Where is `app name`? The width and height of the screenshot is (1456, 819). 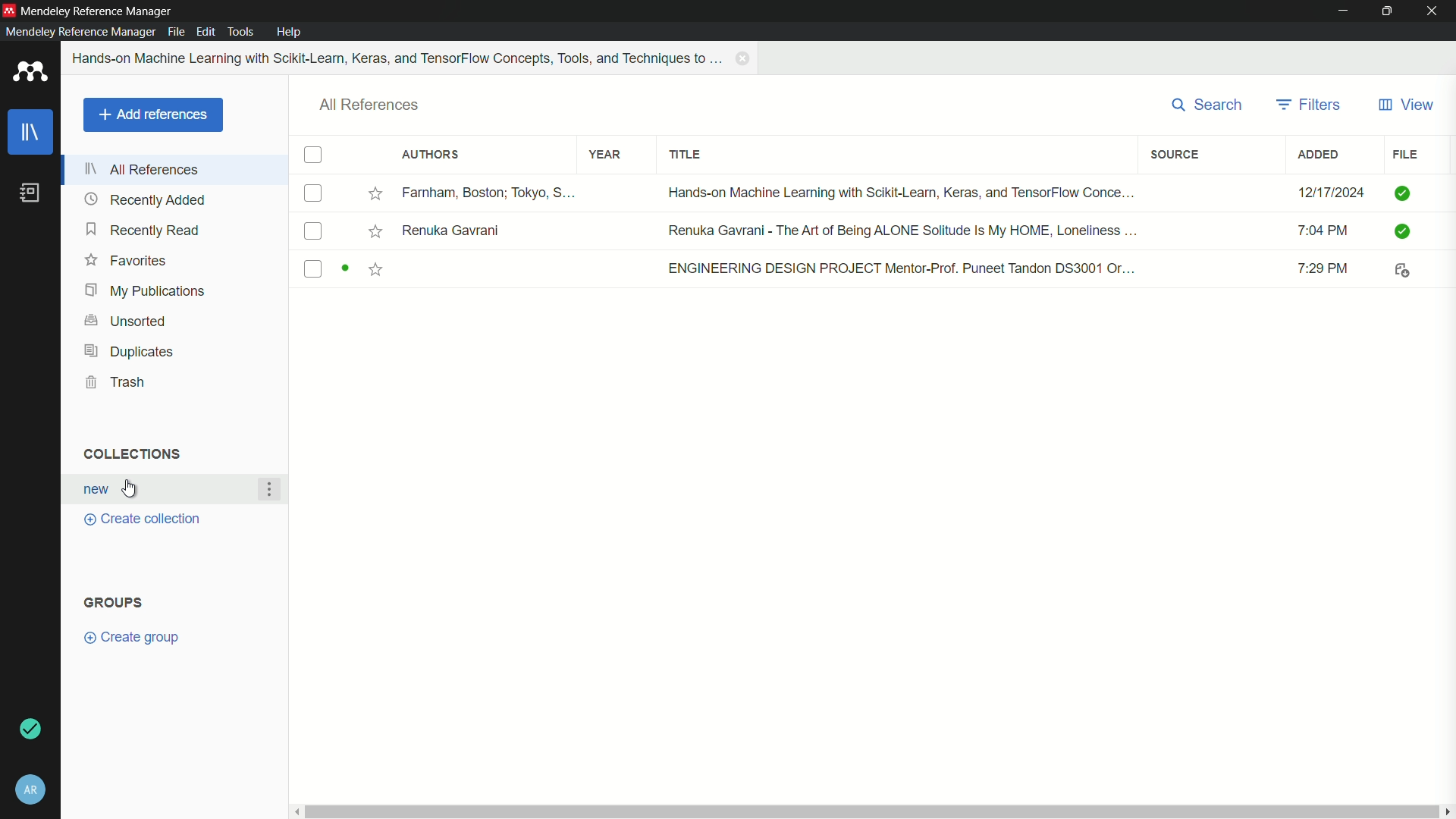 app name is located at coordinates (98, 11).